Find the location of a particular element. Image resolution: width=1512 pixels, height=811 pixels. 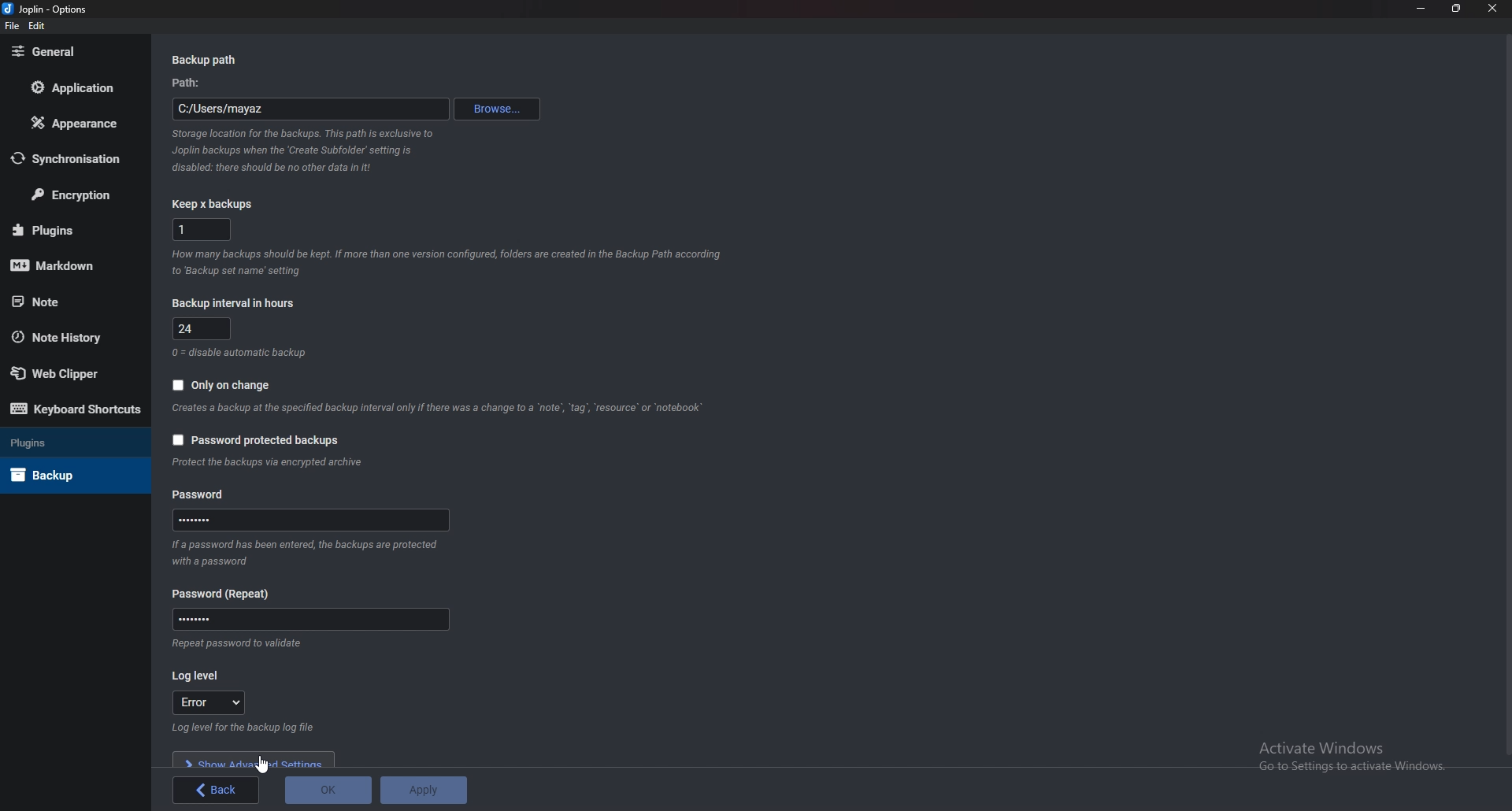

scroll bar is located at coordinates (1506, 395).